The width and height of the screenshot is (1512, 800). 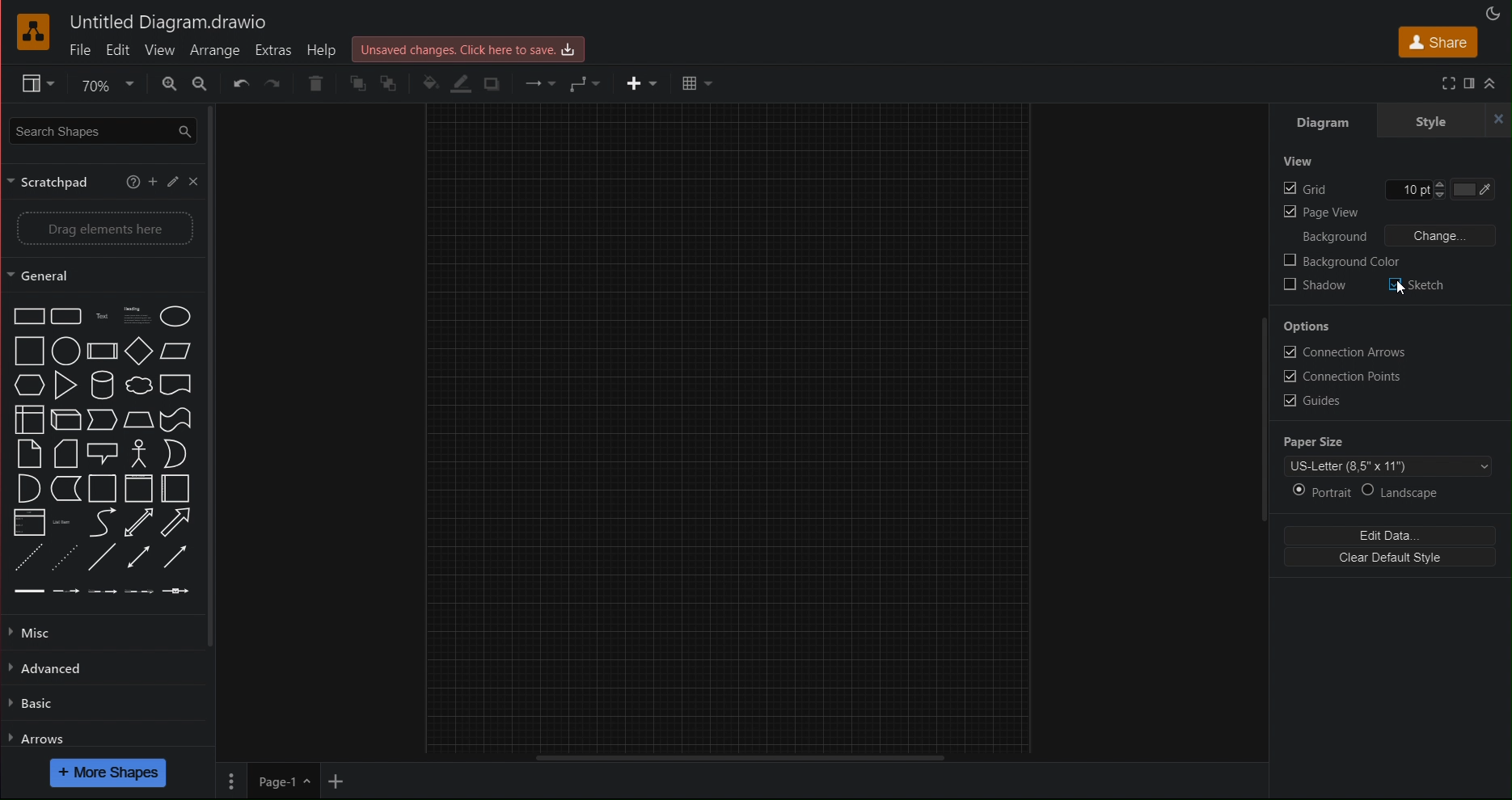 What do you see at coordinates (164, 83) in the screenshot?
I see `Zoom In` at bounding box center [164, 83].